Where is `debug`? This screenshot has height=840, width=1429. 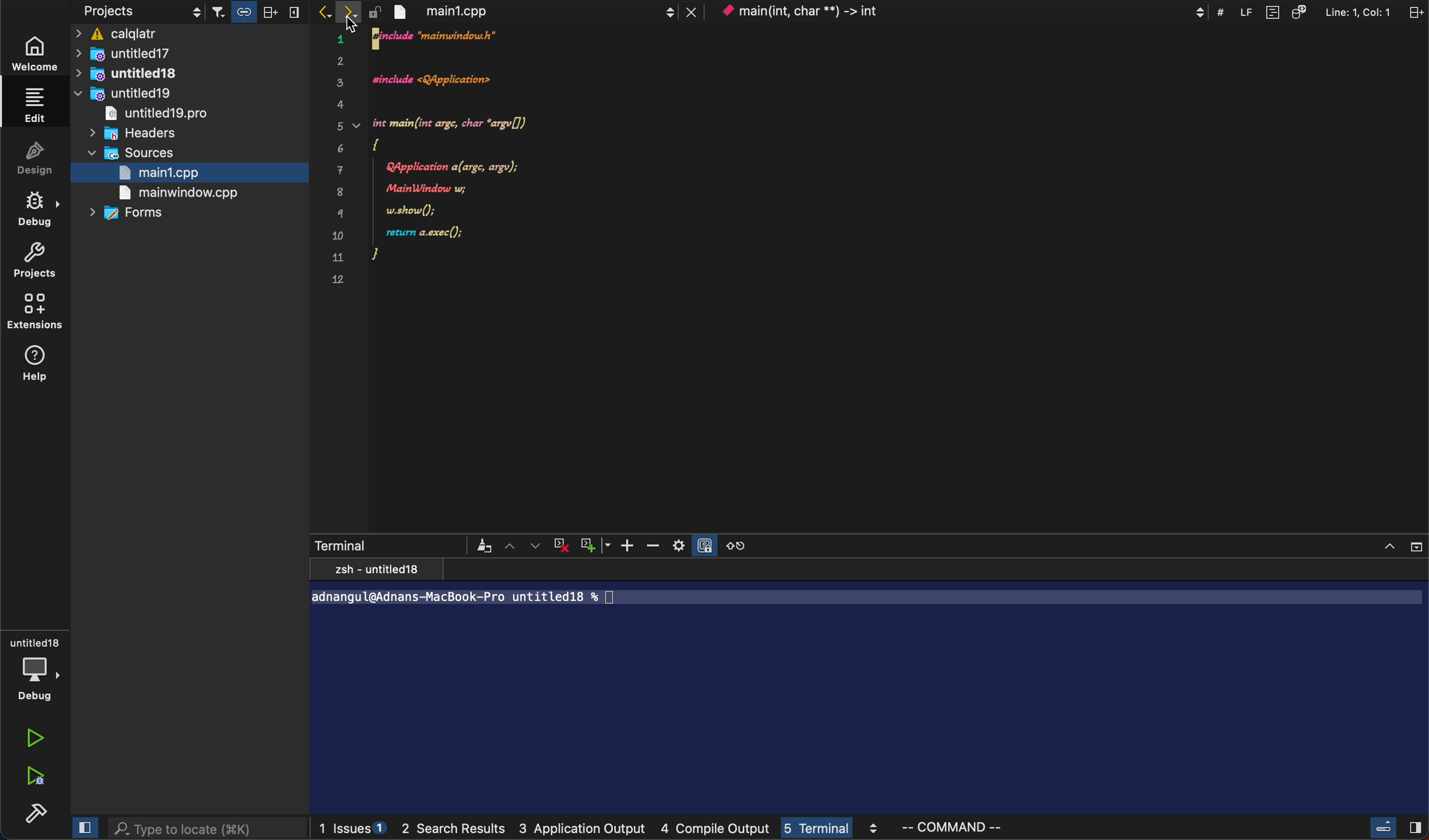 debug is located at coordinates (36, 667).